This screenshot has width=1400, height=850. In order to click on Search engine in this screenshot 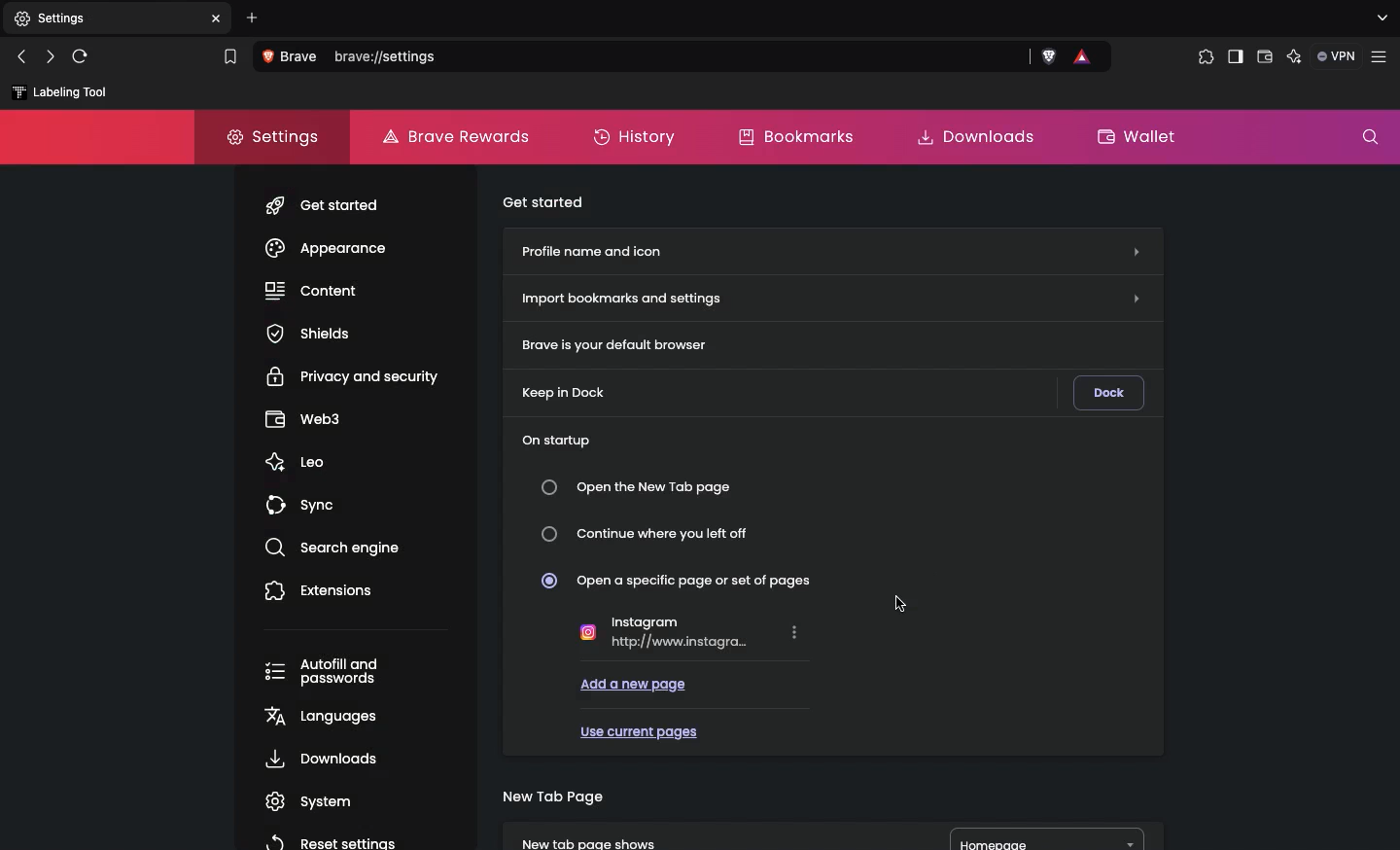, I will do `click(326, 545)`.